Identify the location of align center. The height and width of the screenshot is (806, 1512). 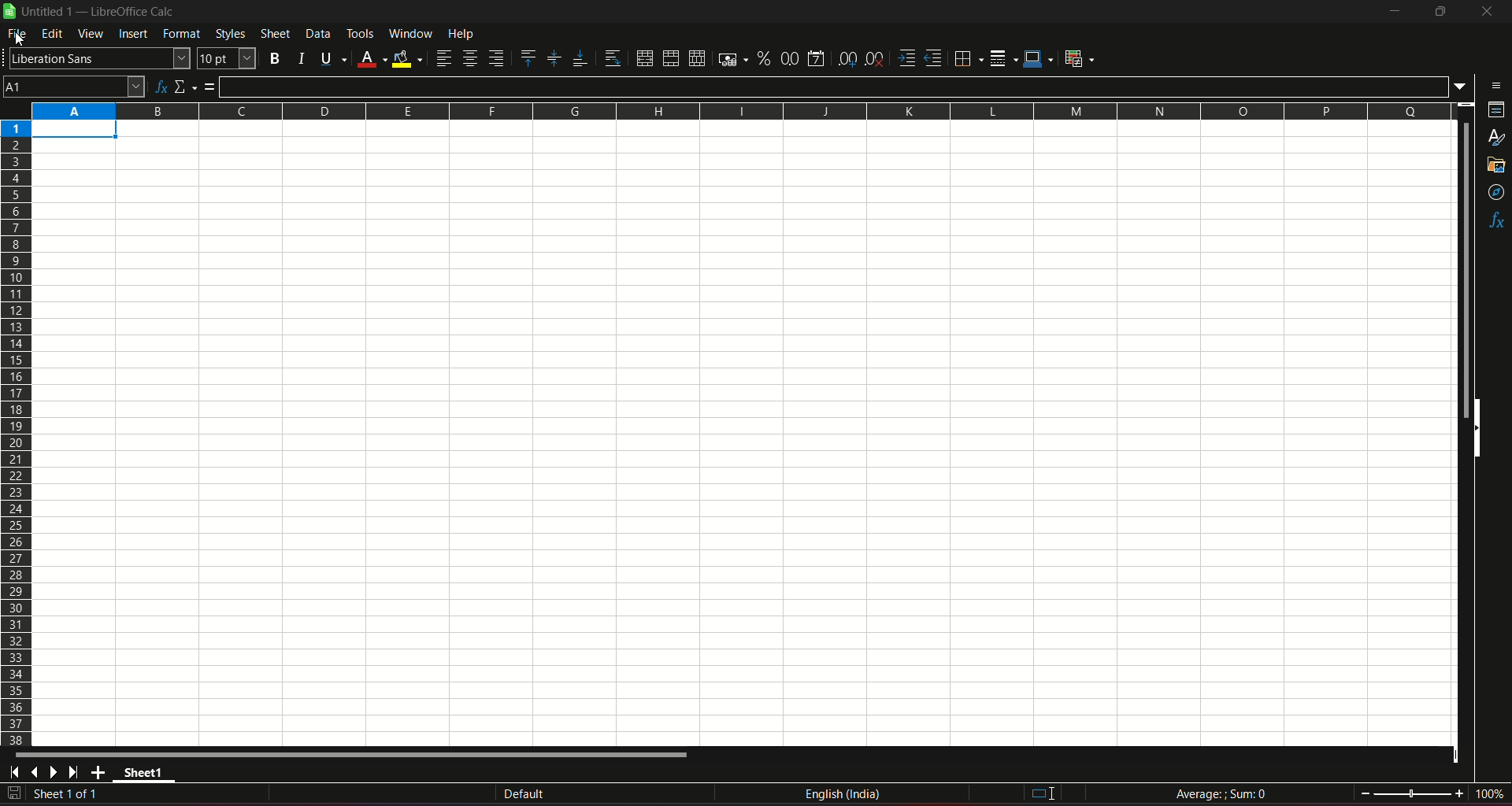
(469, 59).